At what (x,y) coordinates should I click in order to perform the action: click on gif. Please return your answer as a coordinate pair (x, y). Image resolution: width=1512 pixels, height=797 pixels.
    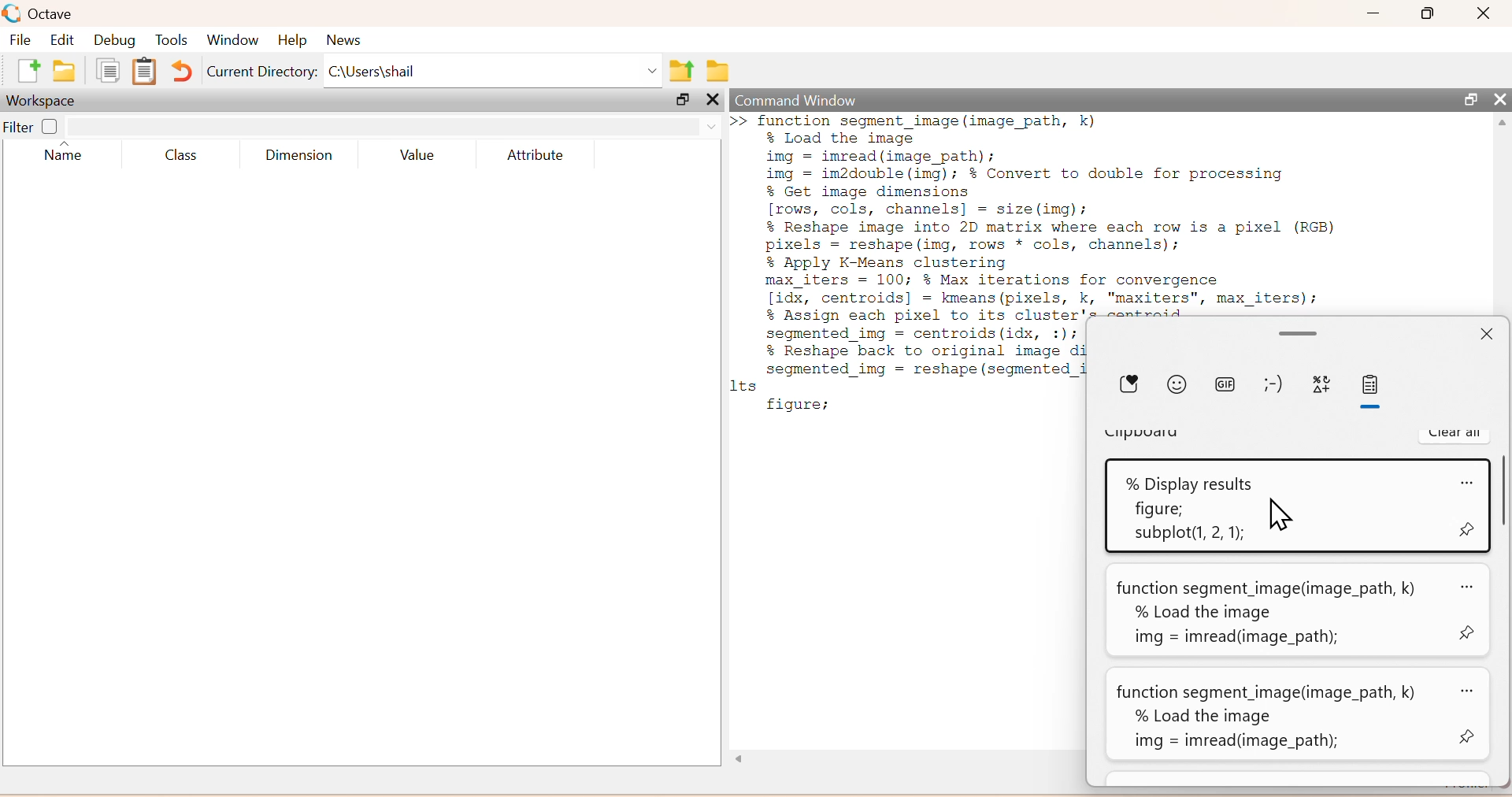
    Looking at the image, I should click on (1225, 384).